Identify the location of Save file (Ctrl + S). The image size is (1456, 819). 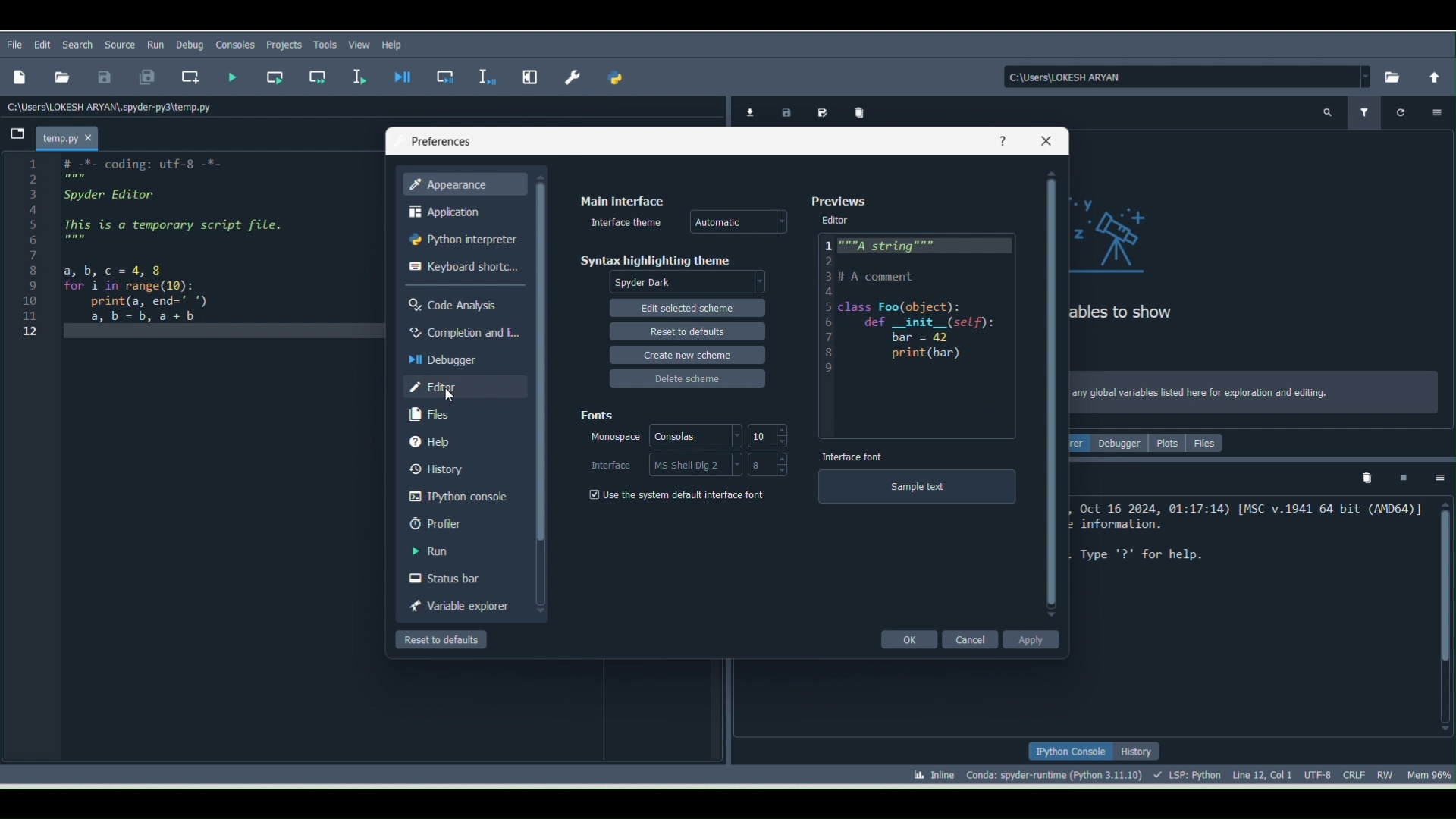
(104, 76).